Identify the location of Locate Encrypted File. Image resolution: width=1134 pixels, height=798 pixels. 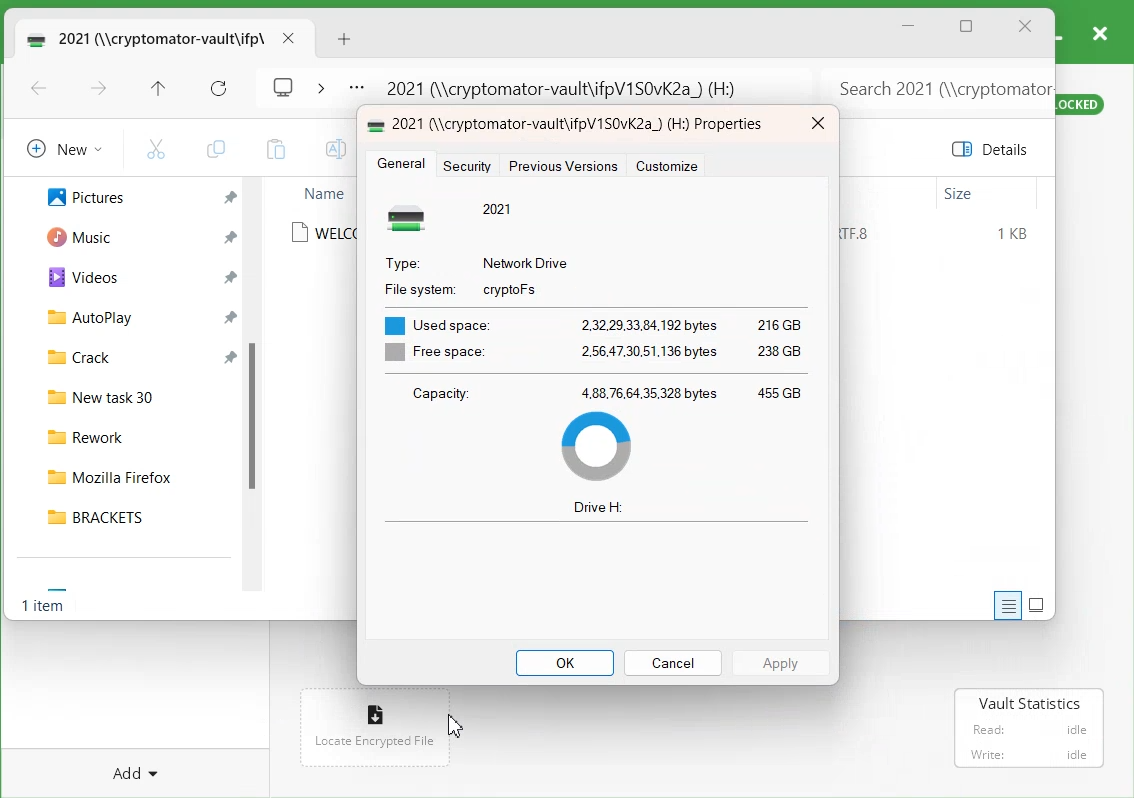
(373, 742).